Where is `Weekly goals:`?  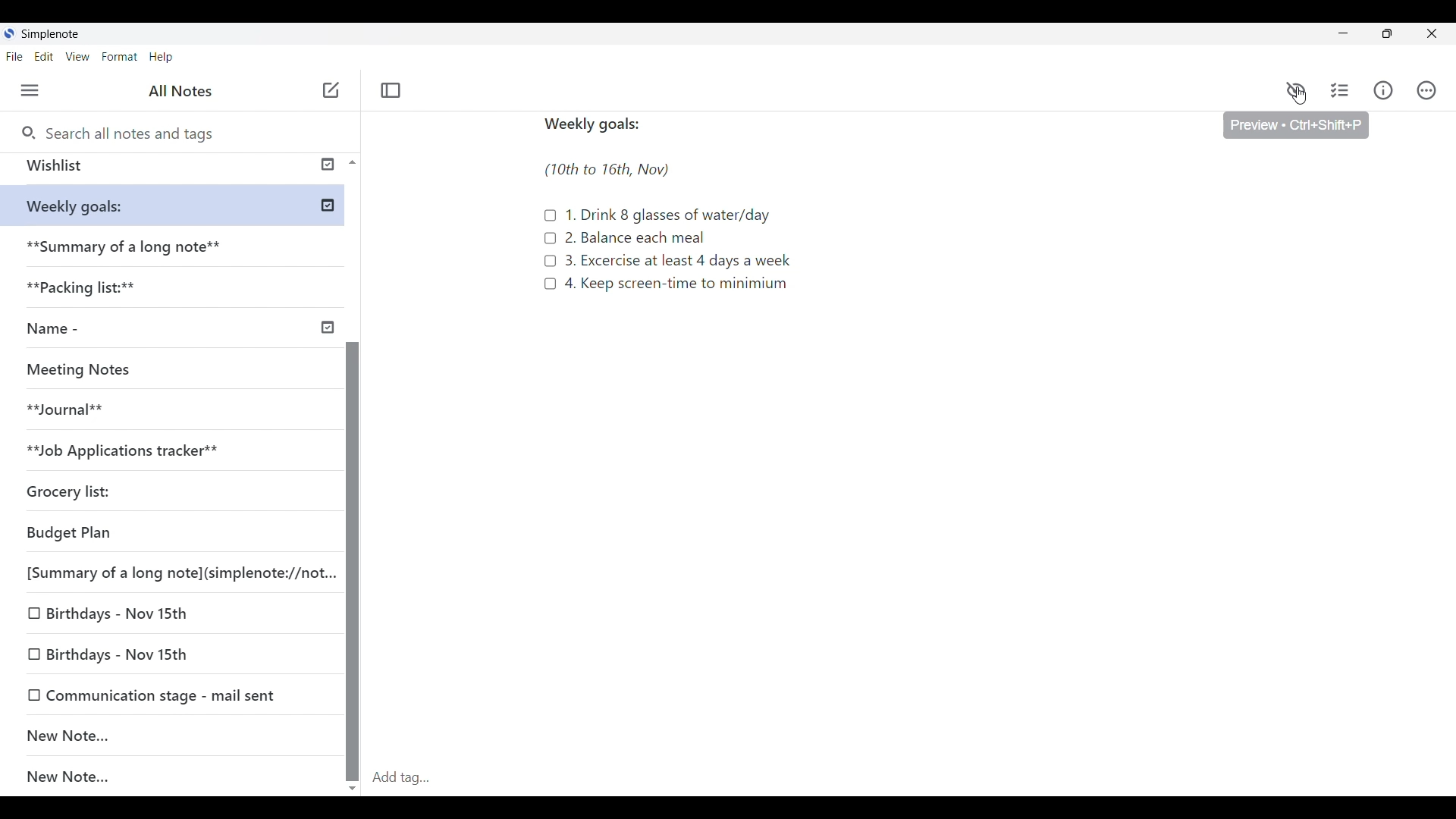 Weekly goals: is located at coordinates (601, 121).